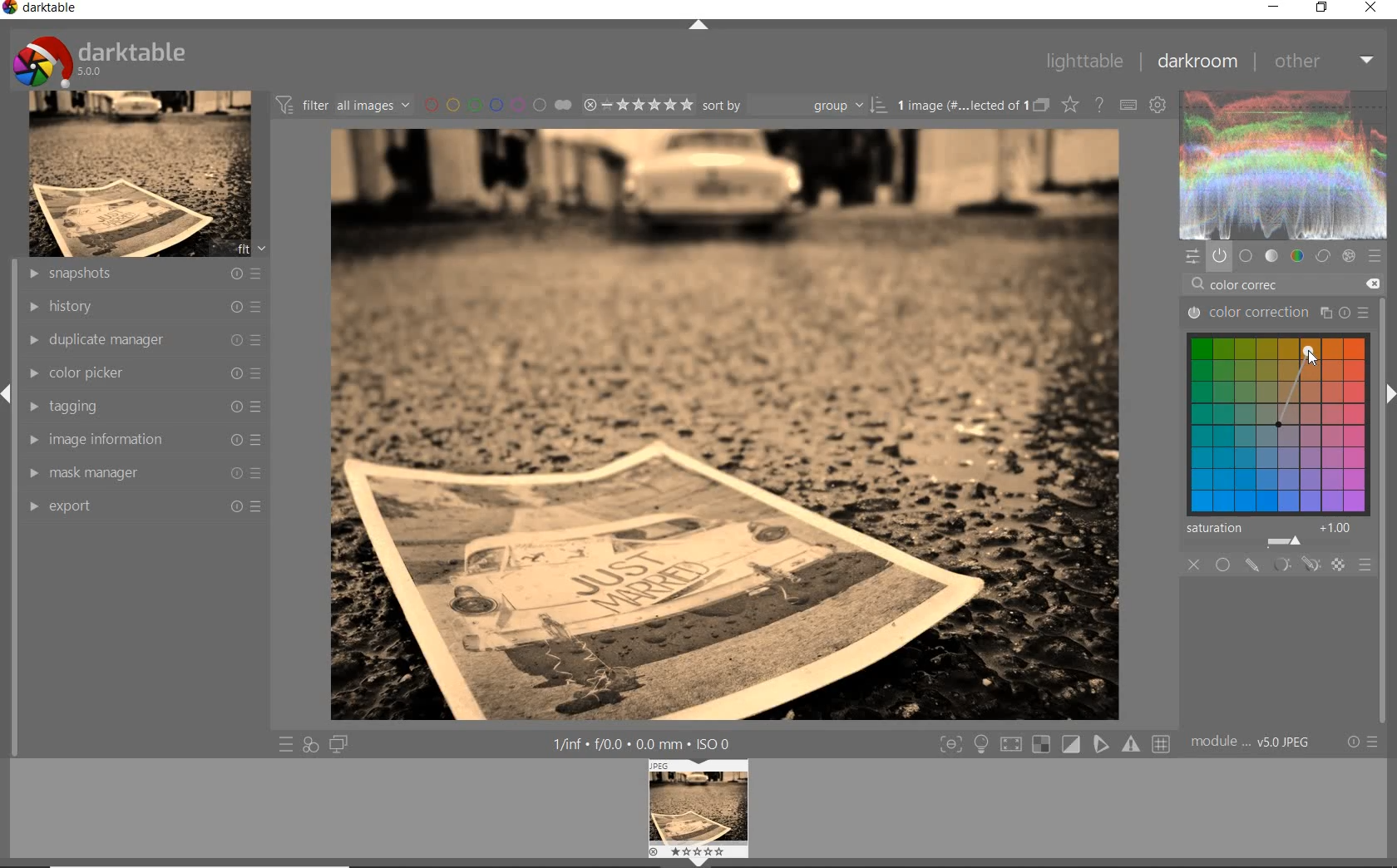 This screenshot has width=1397, height=868. What do you see at coordinates (1365, 565) in the screenshot?
I see `blending options` at bounding box center [1365, 565].